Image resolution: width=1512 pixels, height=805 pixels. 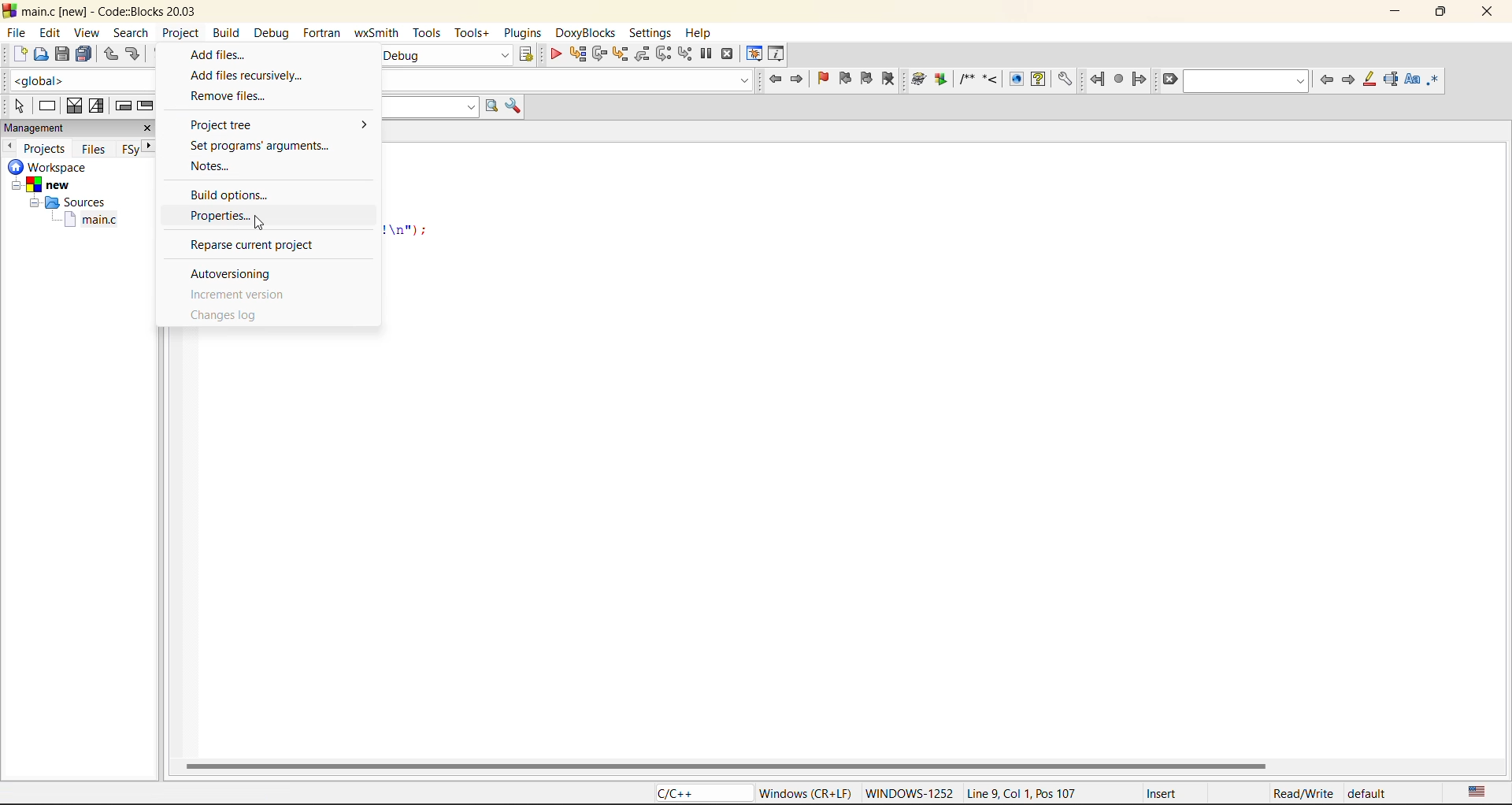 I want to click on break debugger, so click(x=707, y=54).